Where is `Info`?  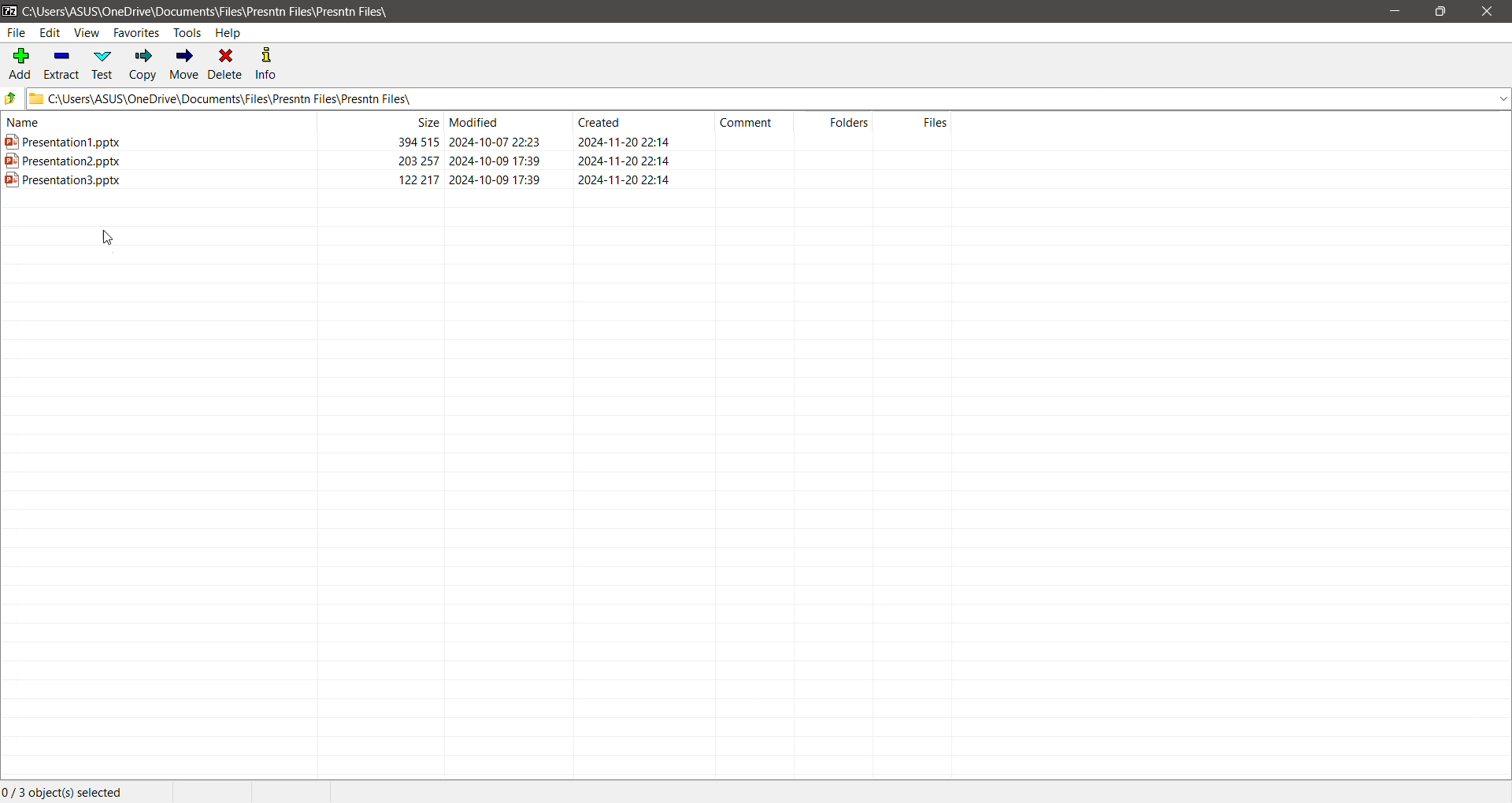 Info is located at coordinates (268, 64).